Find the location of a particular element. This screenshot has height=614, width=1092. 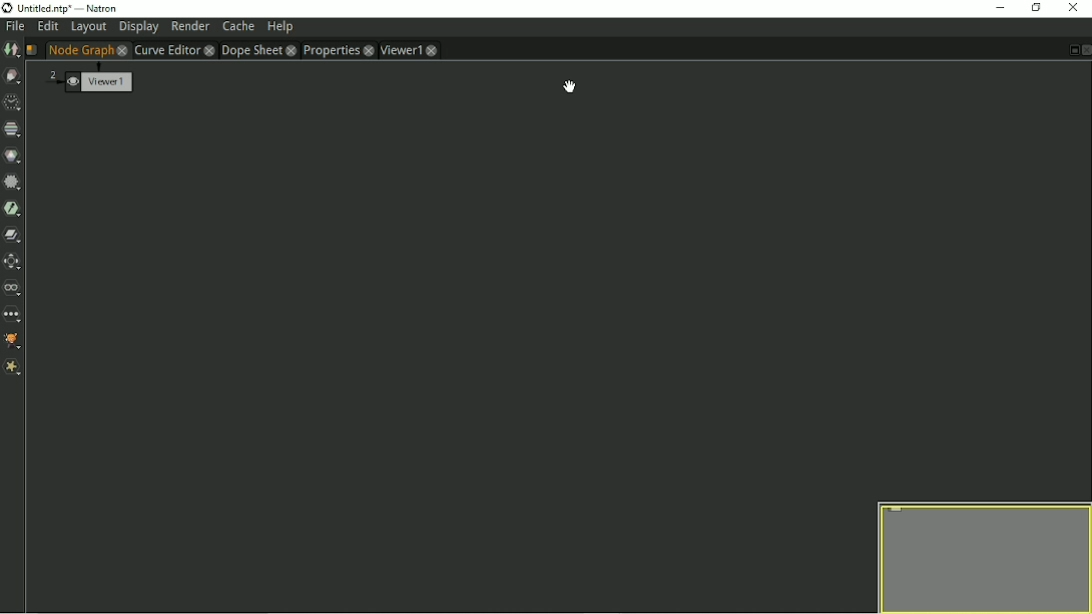

Dope Sheet is located at coordinates (250, 50).